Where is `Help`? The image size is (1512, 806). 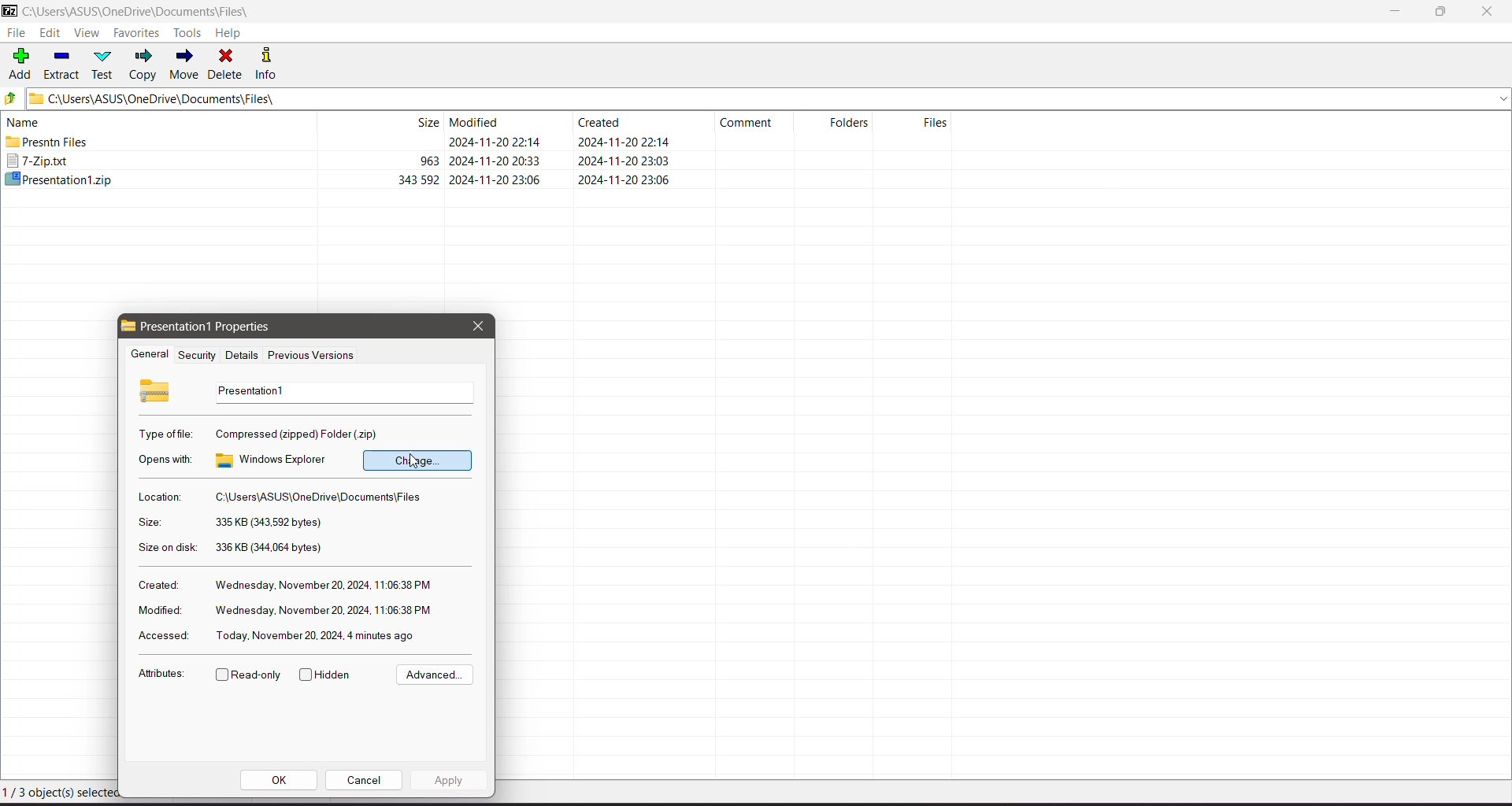 Help is located at coordinates (228, 33).